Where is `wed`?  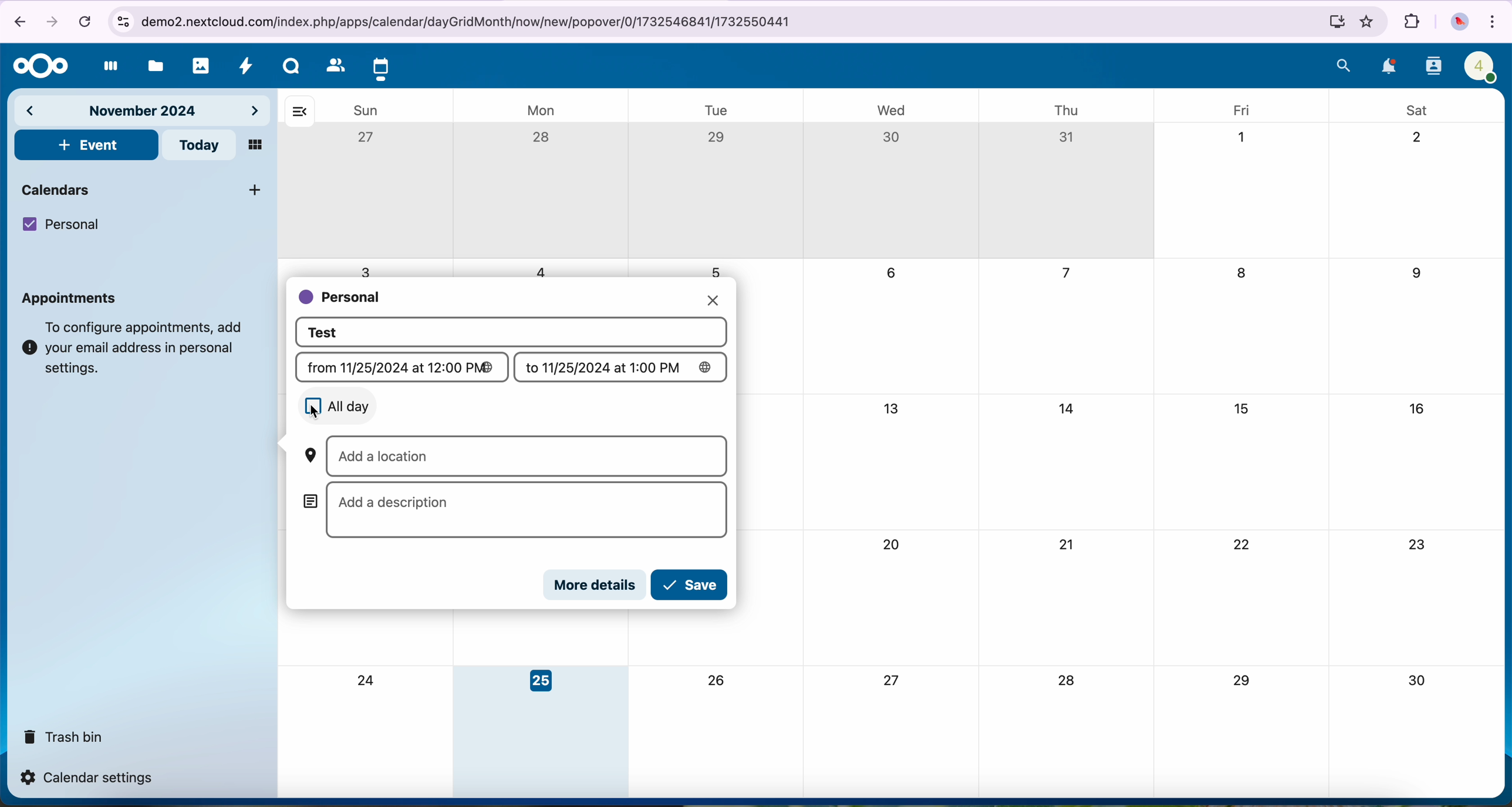
wed is located at coordinates (890, 109).